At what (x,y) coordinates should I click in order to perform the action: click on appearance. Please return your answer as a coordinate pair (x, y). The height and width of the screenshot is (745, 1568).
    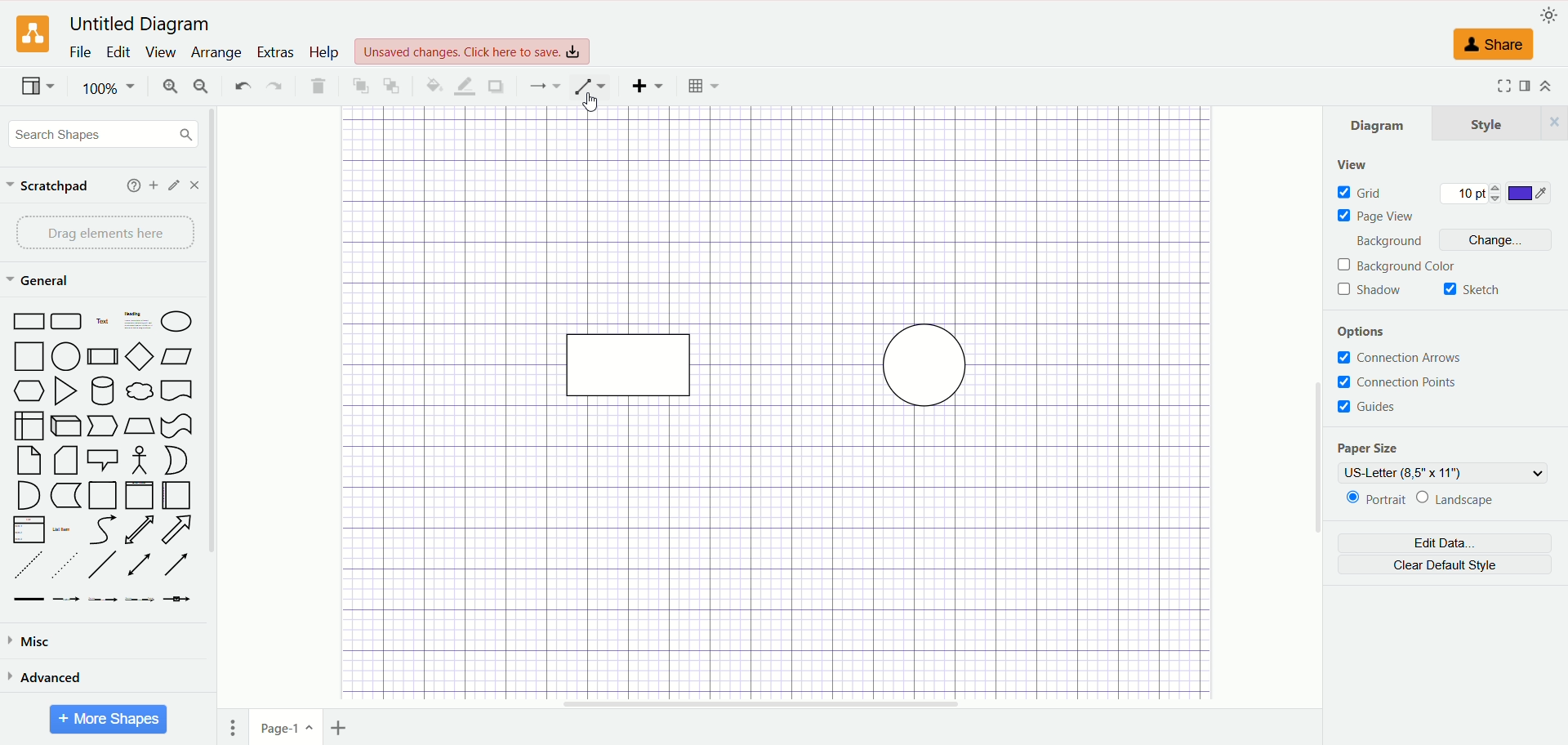
    Looking at the image, I should click on (1546, 15).